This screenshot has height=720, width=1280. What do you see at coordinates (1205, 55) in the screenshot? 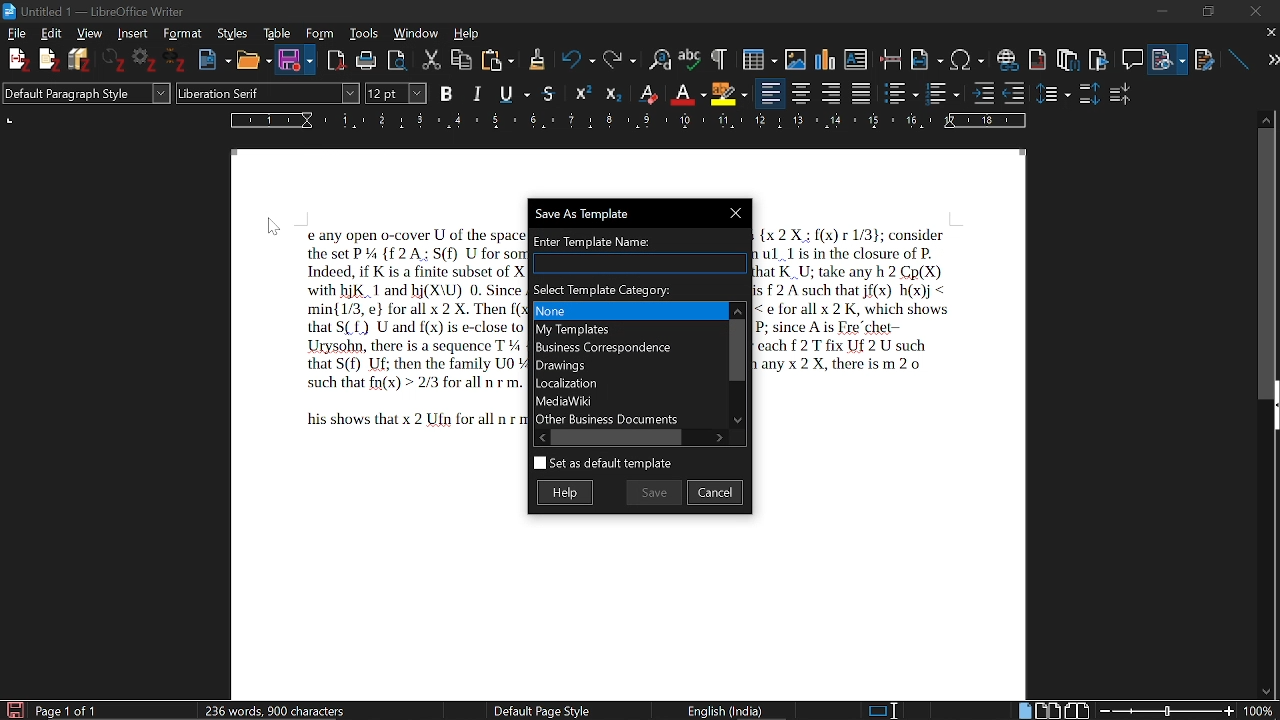
I see `Insert cross reference` at bounding box center [1205, 55].